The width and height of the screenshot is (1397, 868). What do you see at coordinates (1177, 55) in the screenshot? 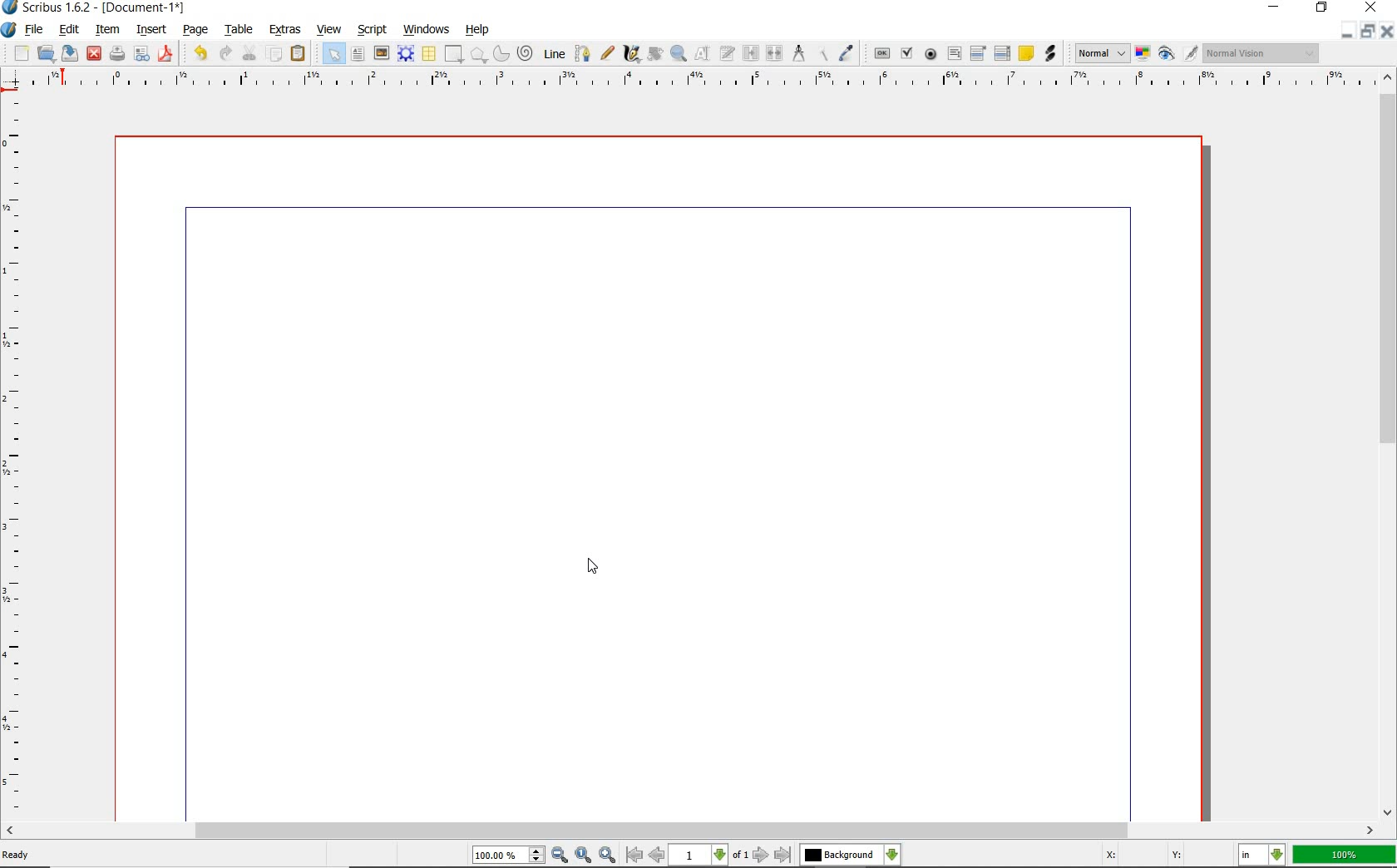
I see `preview mode` at bounding box center [1177, 55].